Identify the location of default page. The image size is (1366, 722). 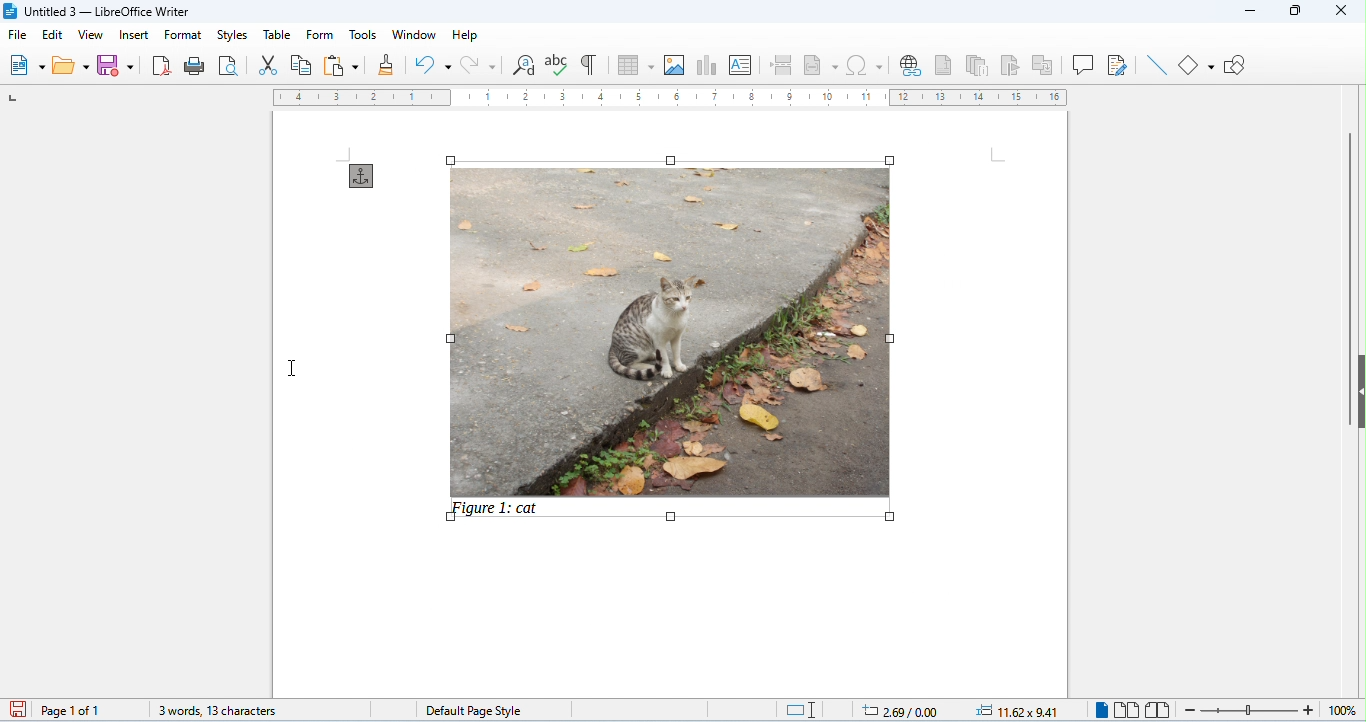
(472, 709).